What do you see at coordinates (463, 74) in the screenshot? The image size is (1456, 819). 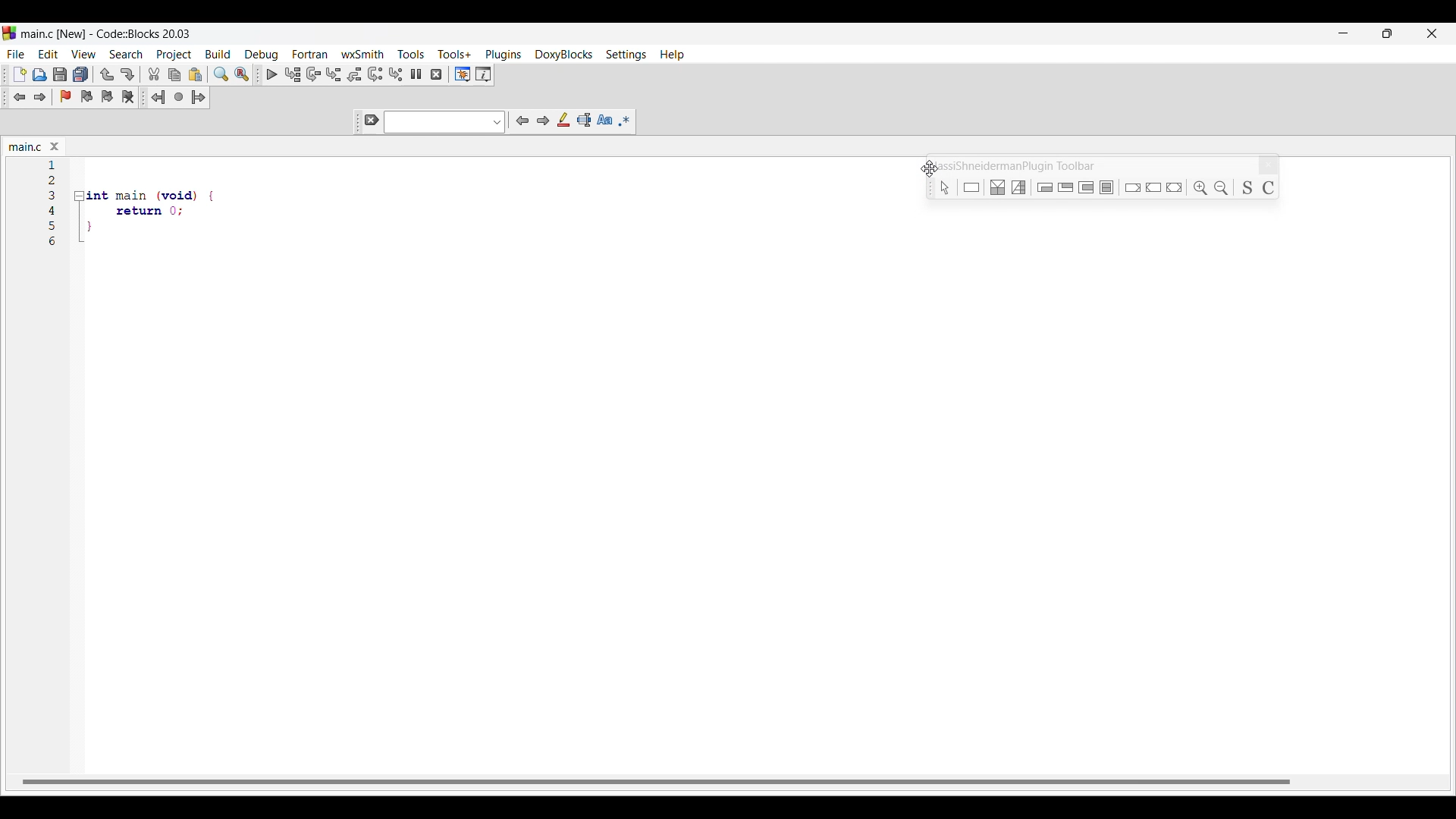 I see `Debugging windows` at bounding box center [463, 74].